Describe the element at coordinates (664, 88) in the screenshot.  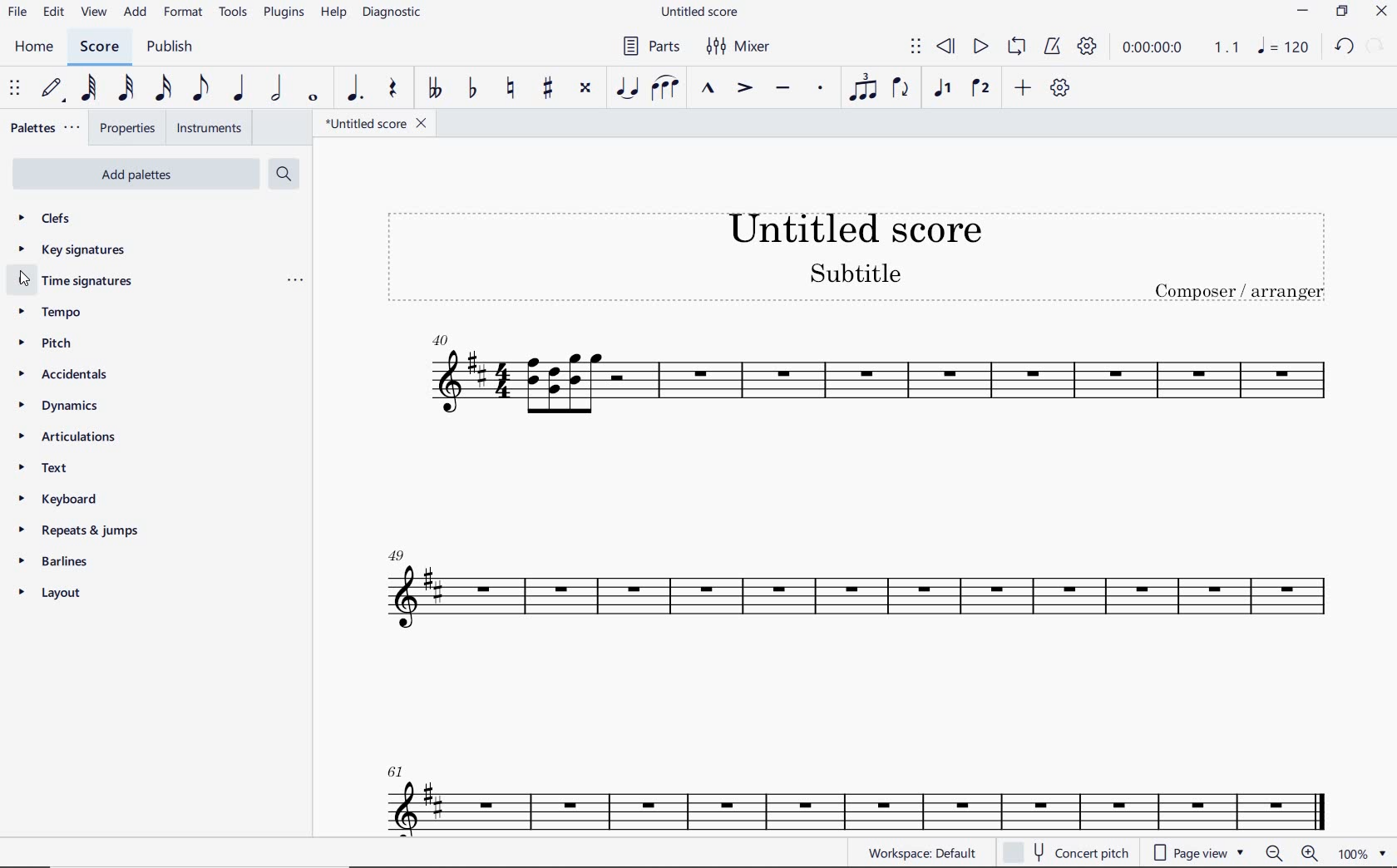
I see `SLUR` at that location.